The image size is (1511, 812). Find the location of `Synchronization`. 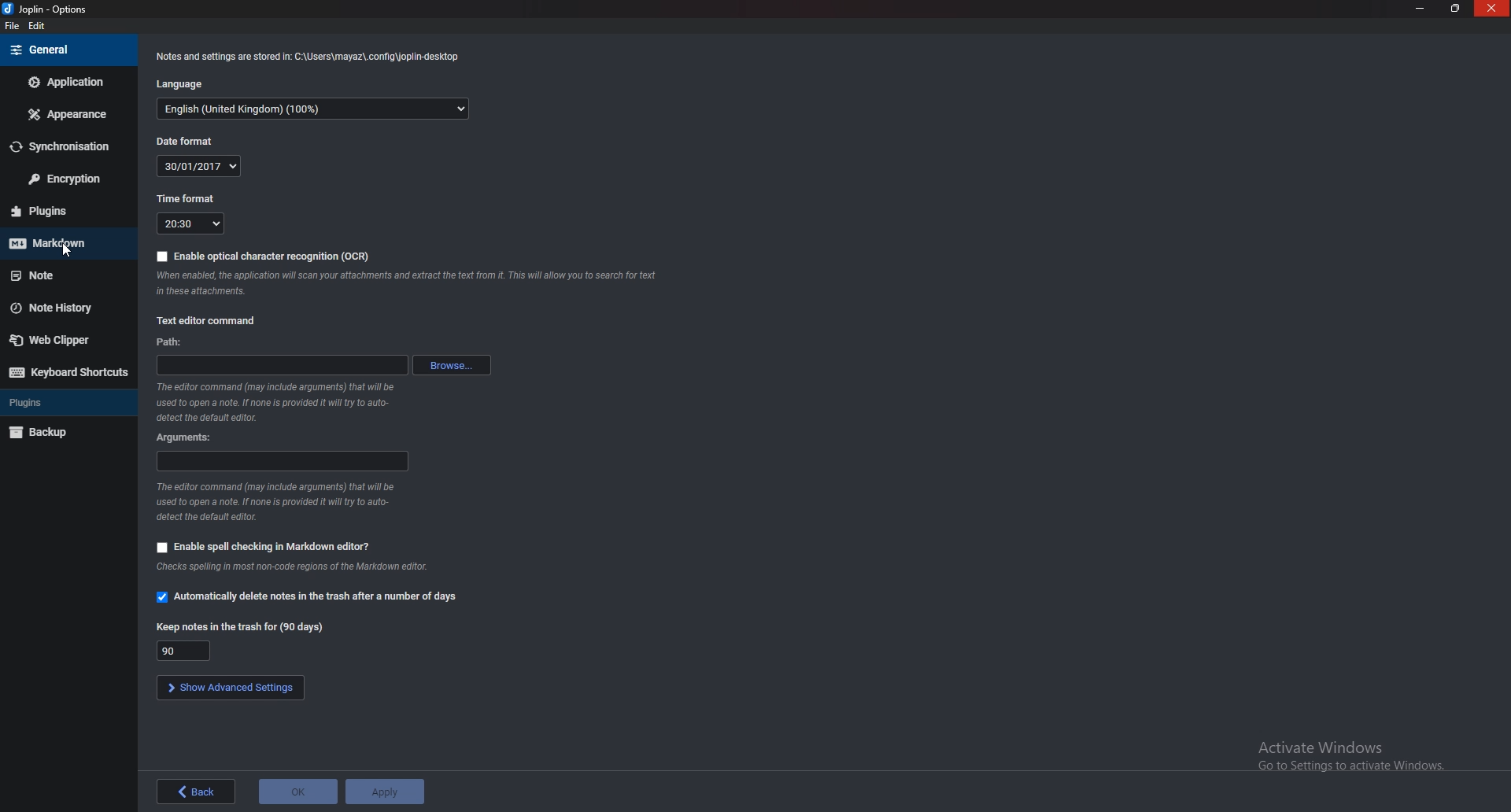

Synchronization is located at coordinates (68, 146).